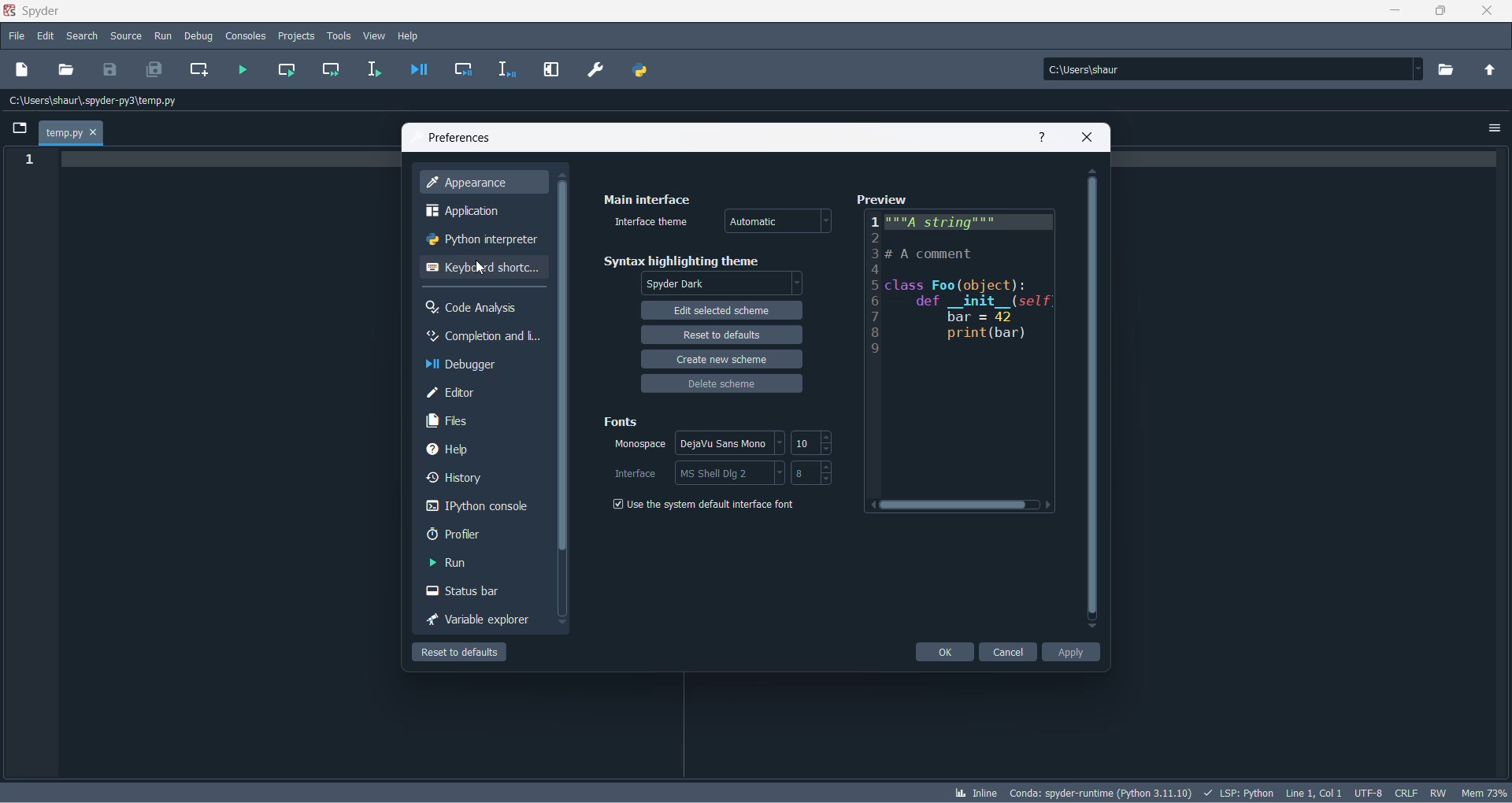 Image resolution: width=1512 pixels, height=803 pixels. I want to click on create new cell, so click(201, 71).